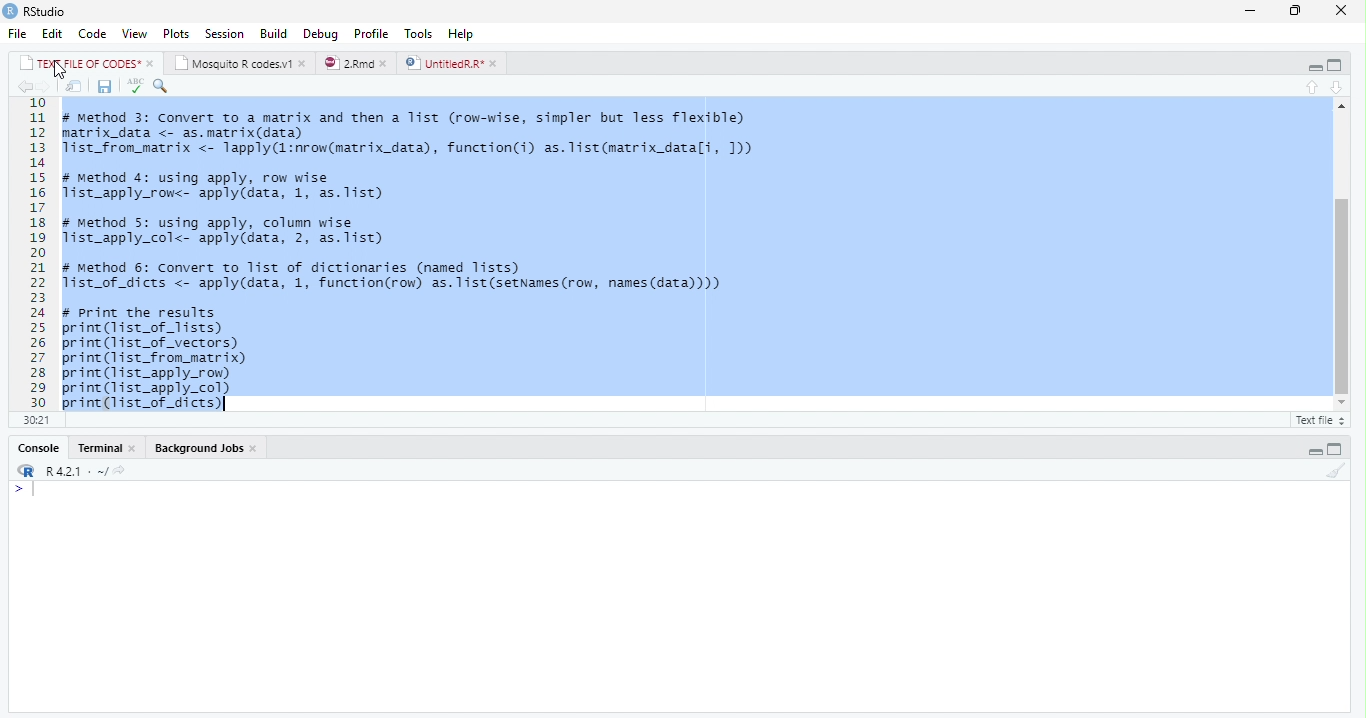 The width and height of the screenshot is (1366, 718). What do you see at coordinates (34, 419) in the screenshot?
I see `1:1` at bounding box center [34, 419].